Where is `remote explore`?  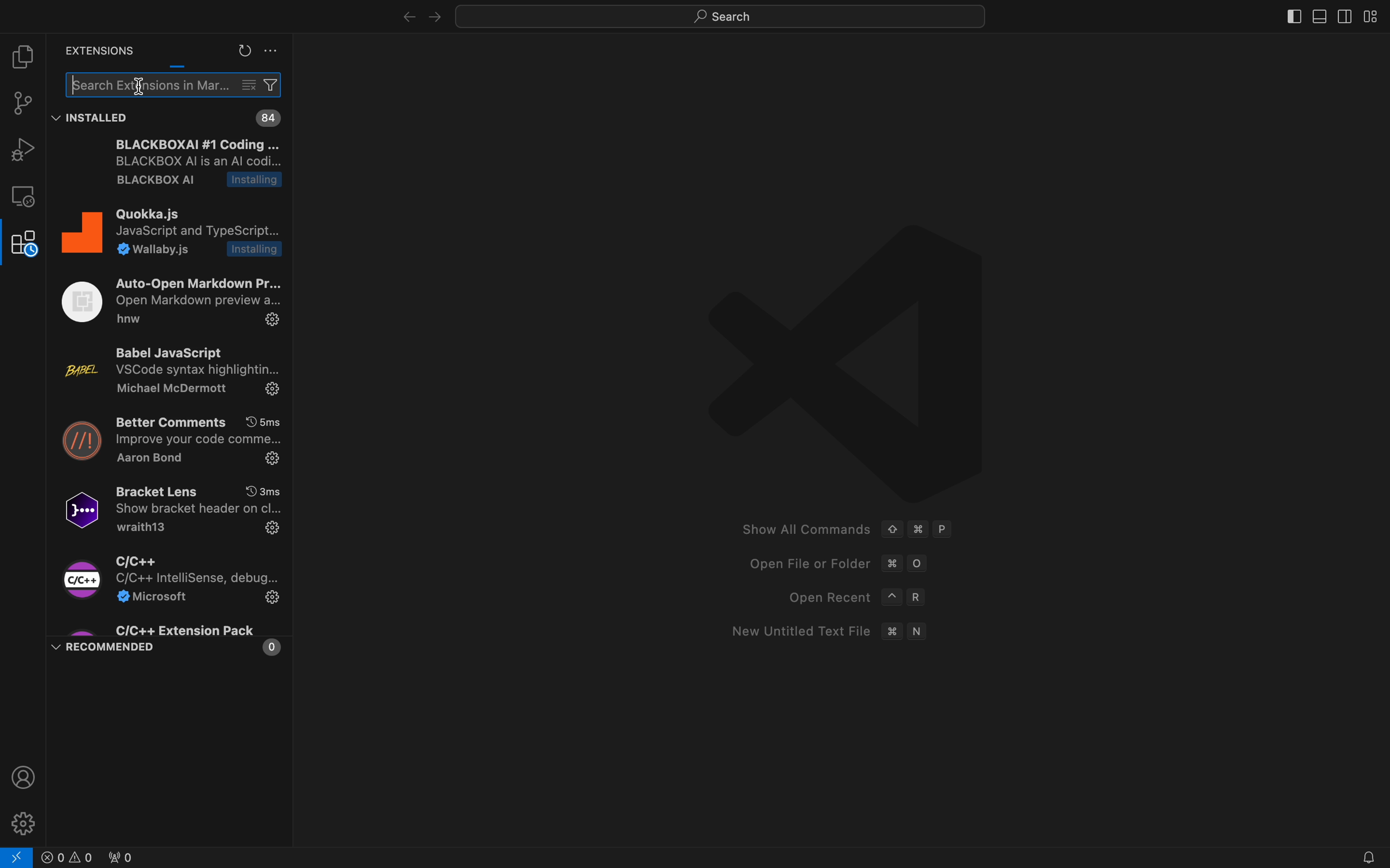 remote explore is located at coordinates (23, 196).